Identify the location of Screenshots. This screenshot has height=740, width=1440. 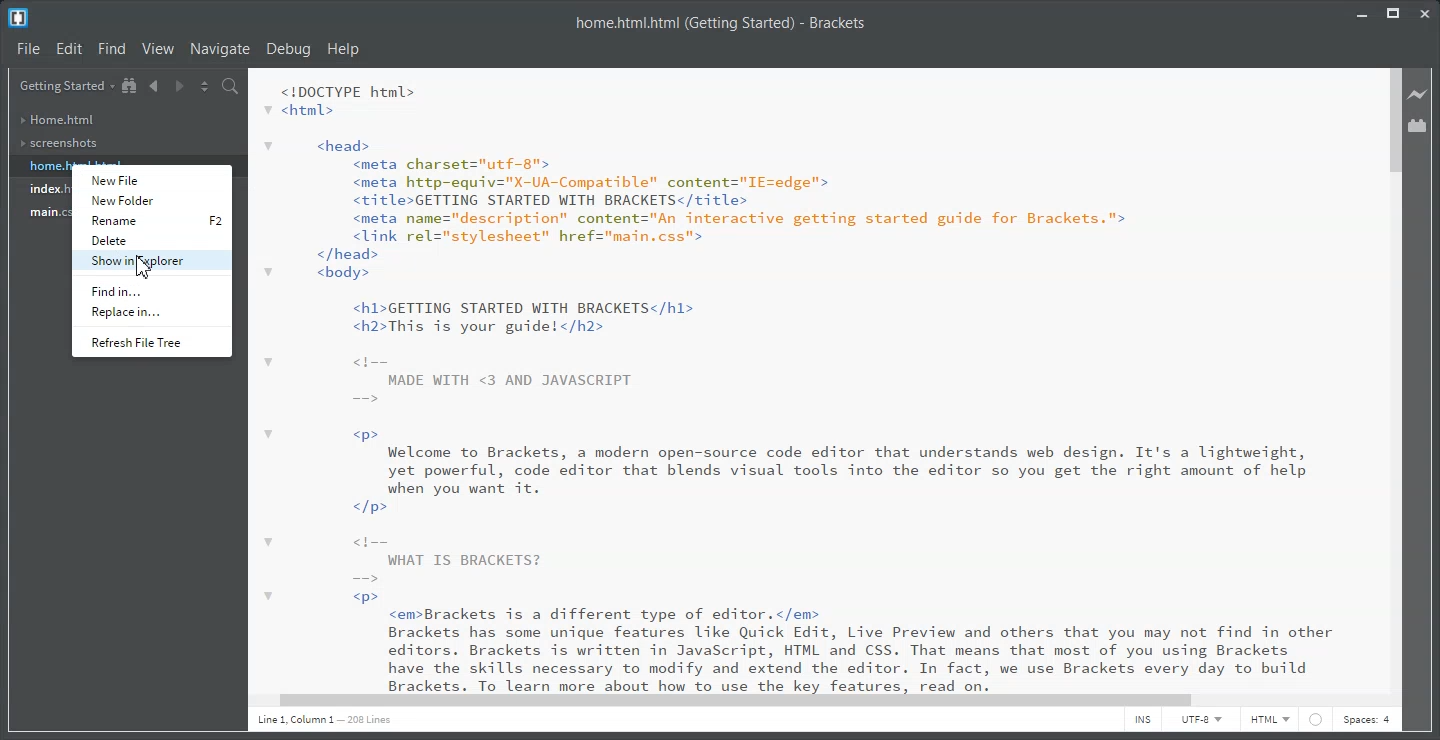
(59, 144).